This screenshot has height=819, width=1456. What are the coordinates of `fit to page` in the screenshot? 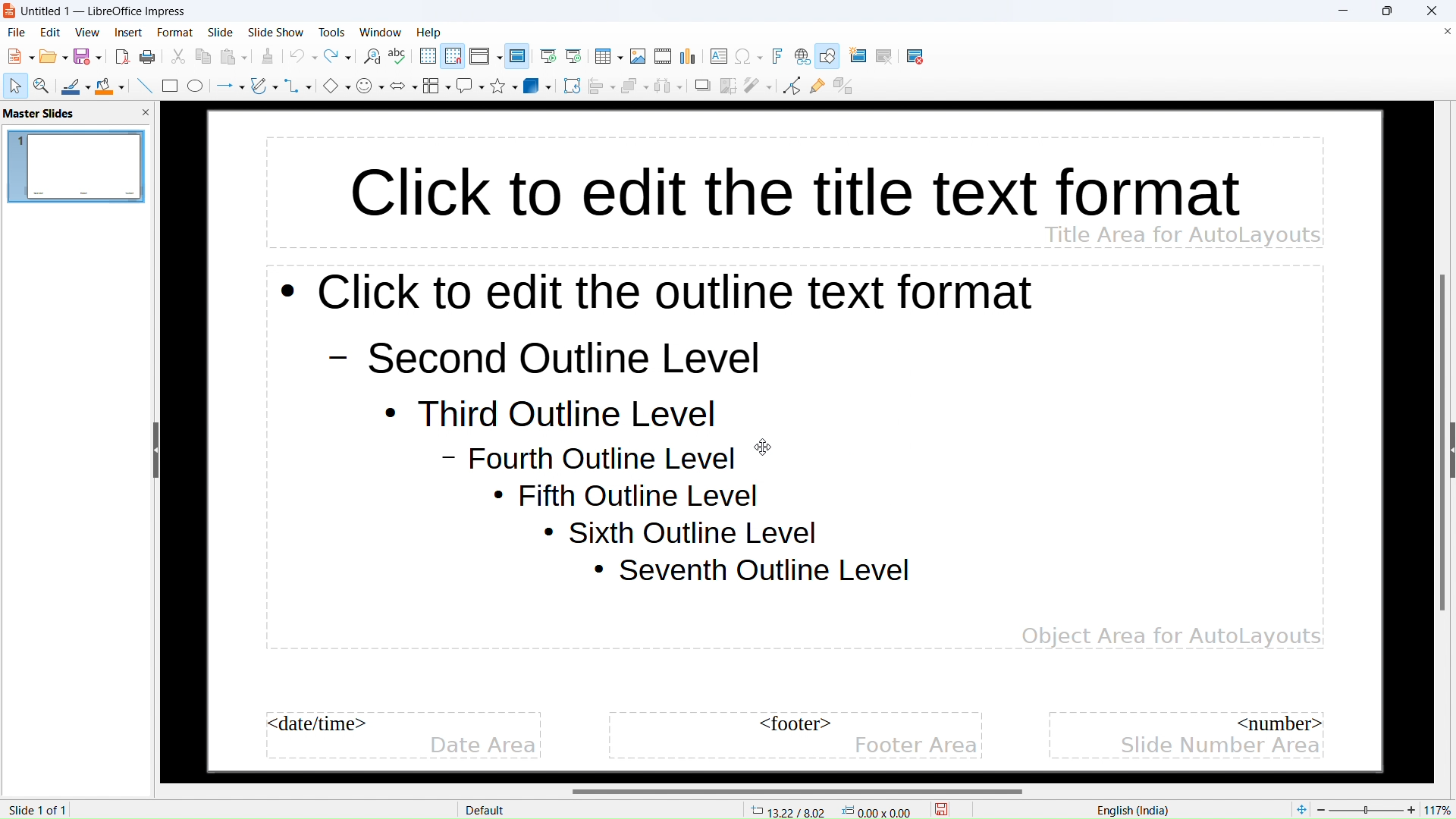 It's located at (1301, 809).